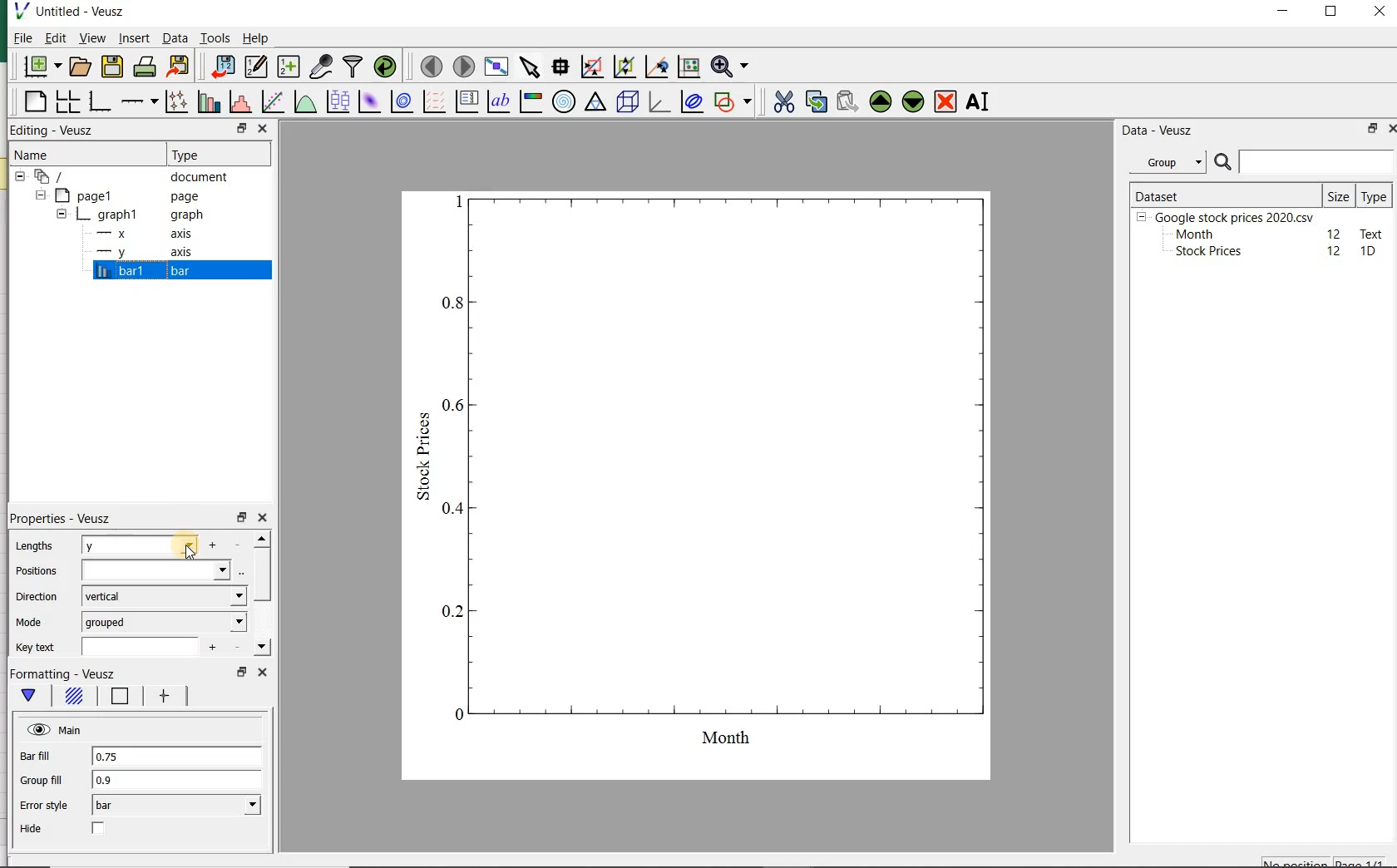  I want to click on page1, so click(121, 196).